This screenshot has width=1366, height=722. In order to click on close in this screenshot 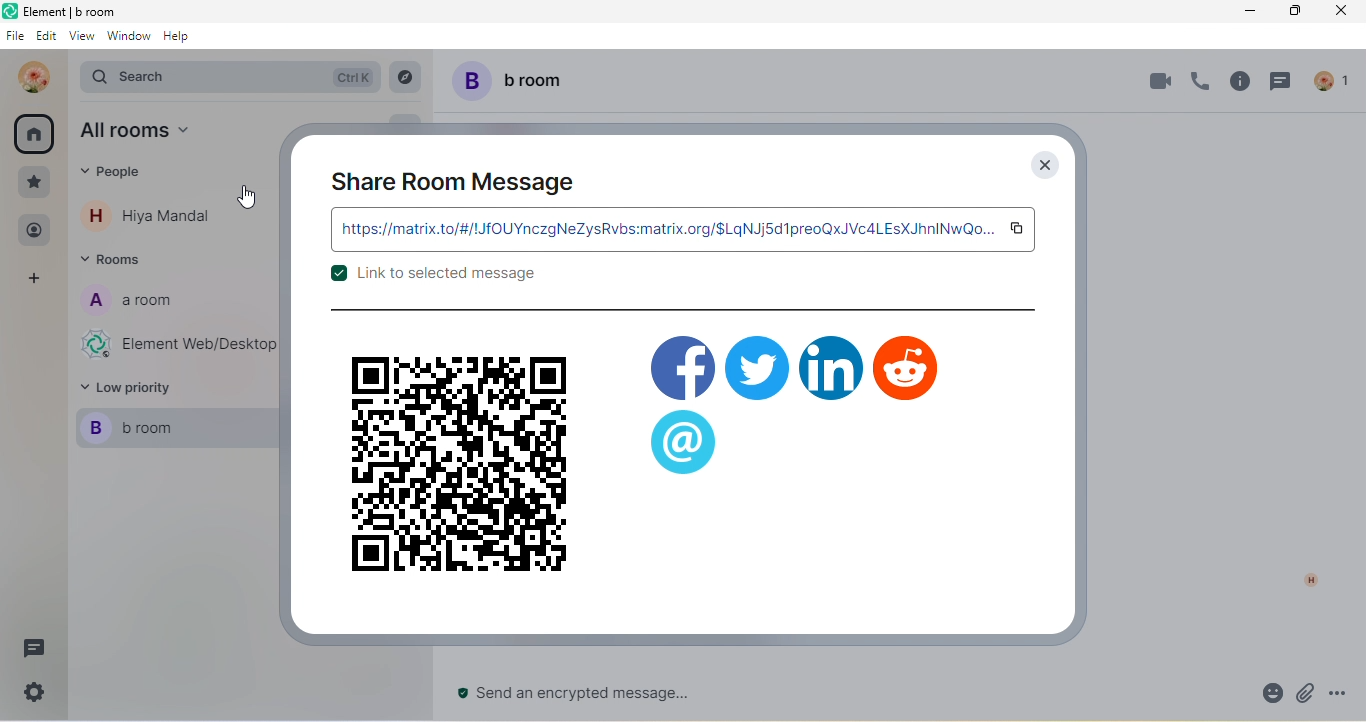, I will do `click(1337, 12)`.